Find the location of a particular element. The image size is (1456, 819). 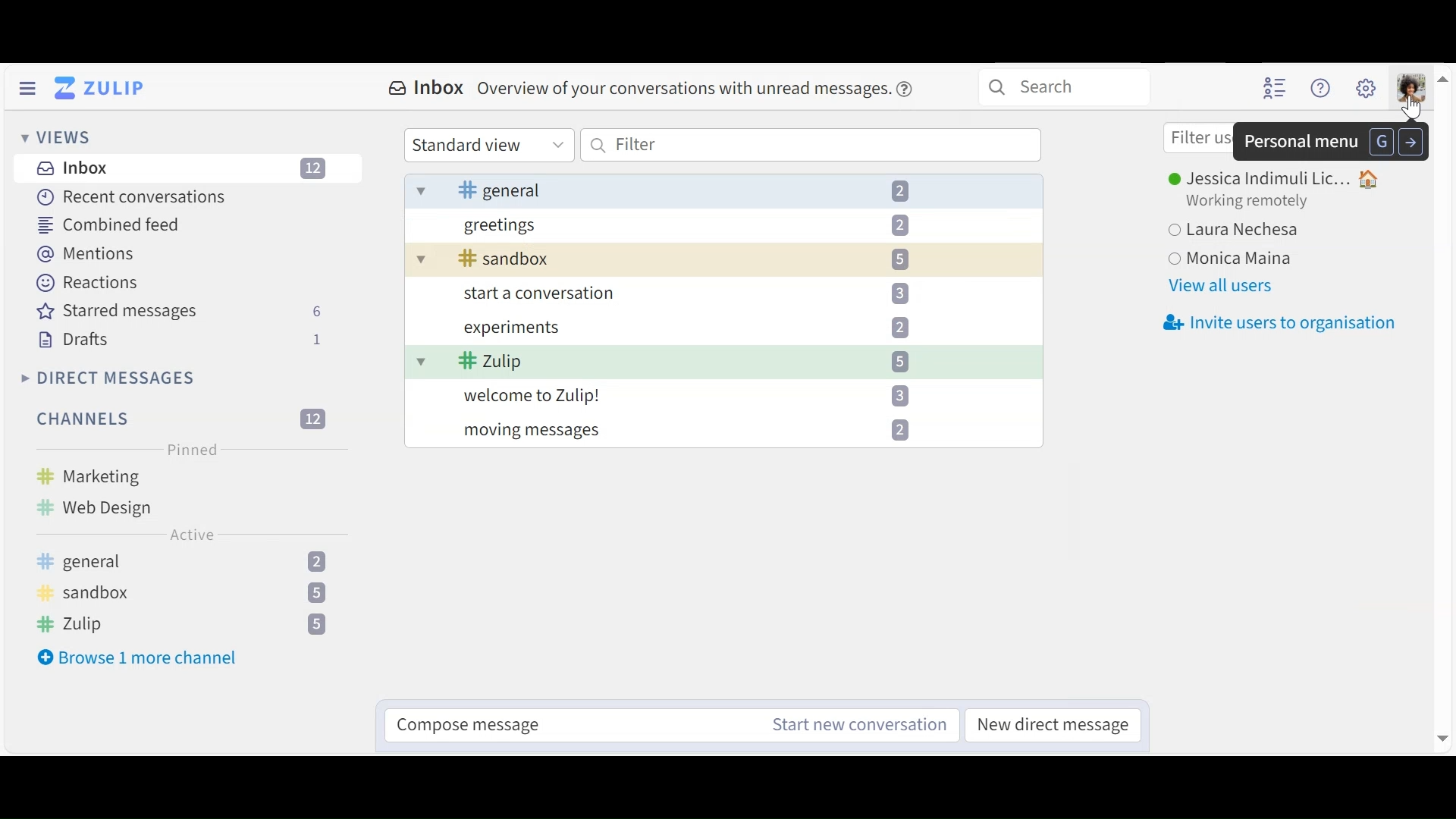

Inbox is located at coordinates (656, 92).